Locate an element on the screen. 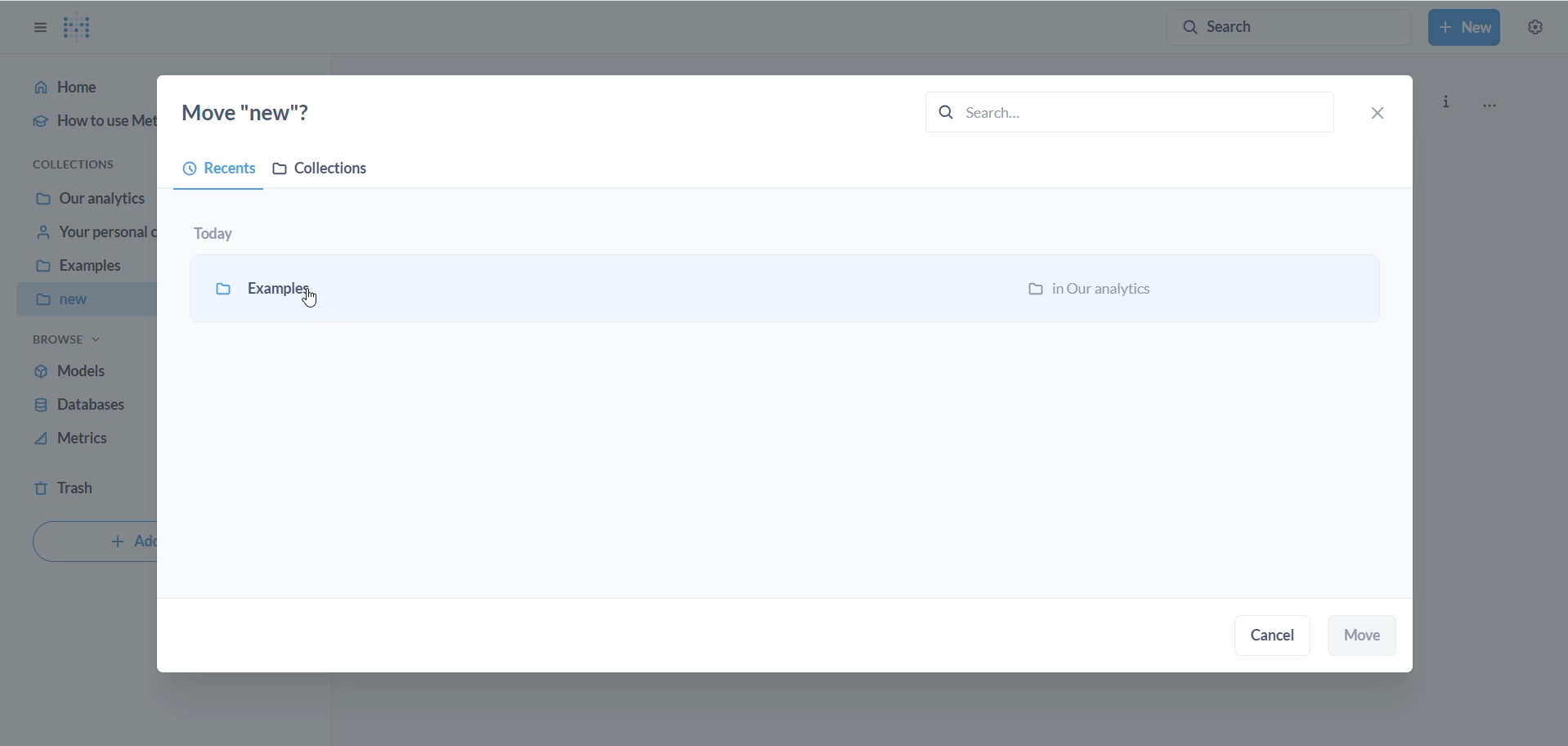  browse is located at coordinates (68, 344).